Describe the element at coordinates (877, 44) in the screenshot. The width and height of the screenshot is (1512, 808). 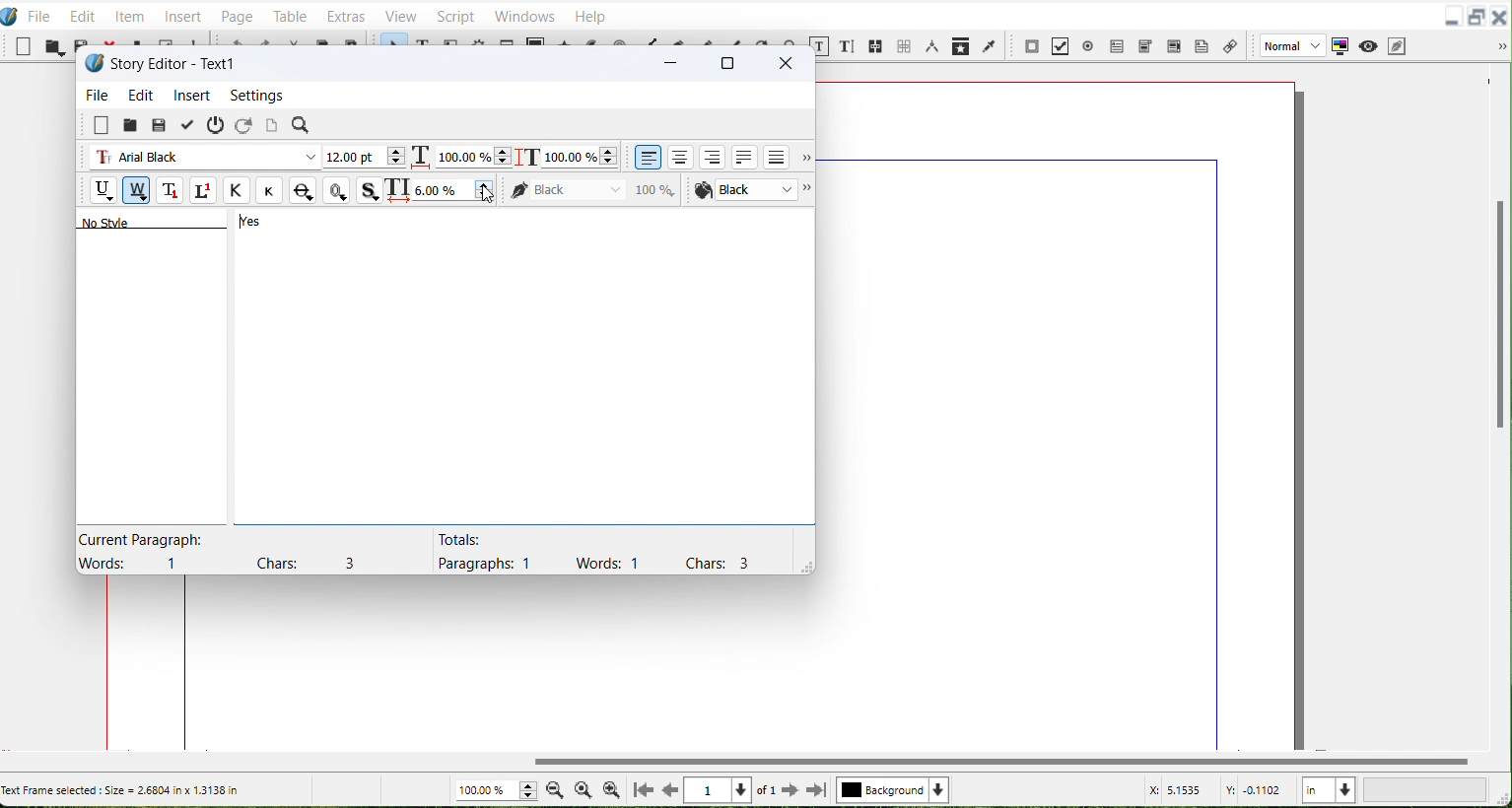
I see `Link Text Frame` at that location.